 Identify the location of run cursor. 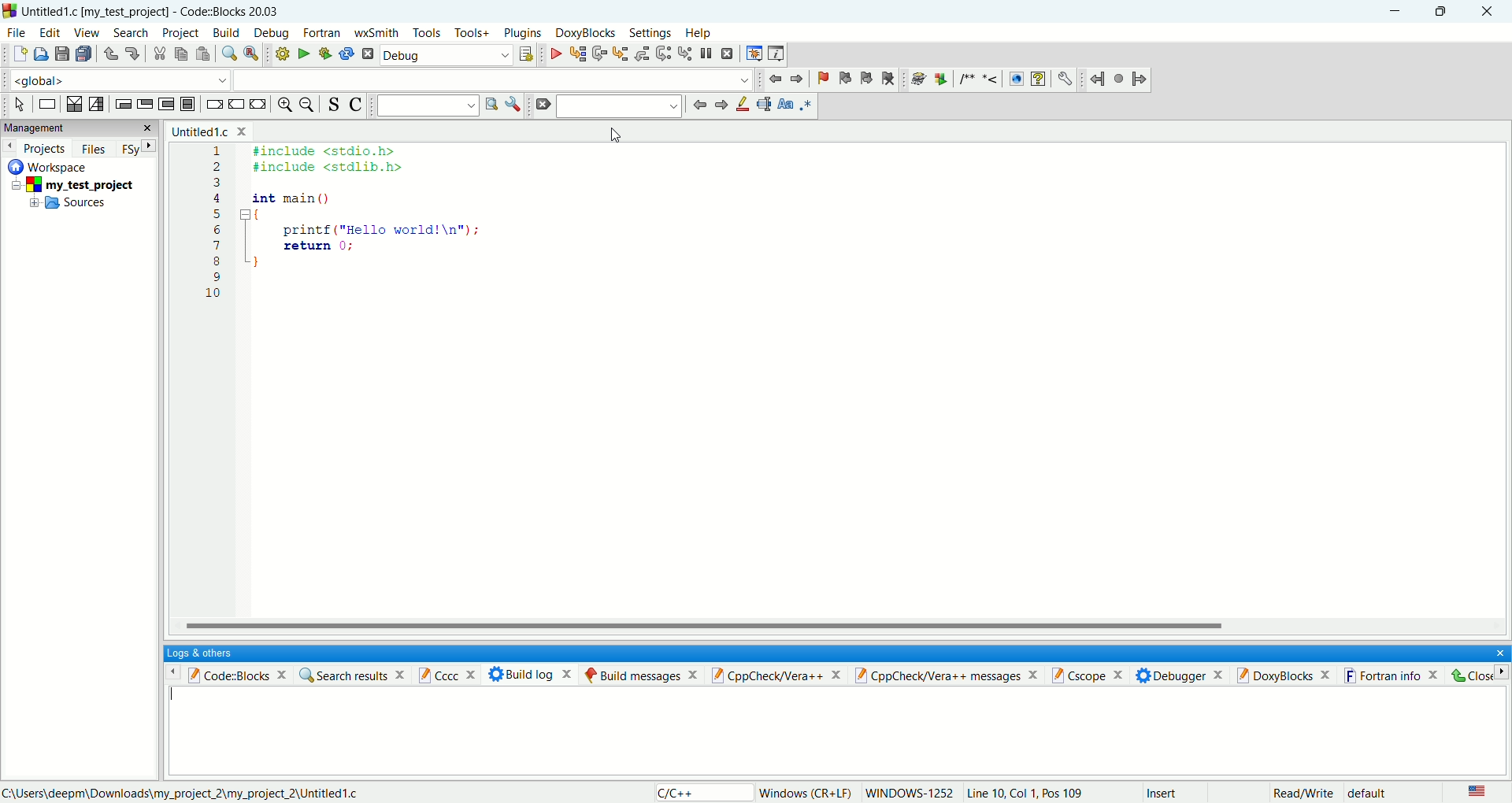
(576, 54).